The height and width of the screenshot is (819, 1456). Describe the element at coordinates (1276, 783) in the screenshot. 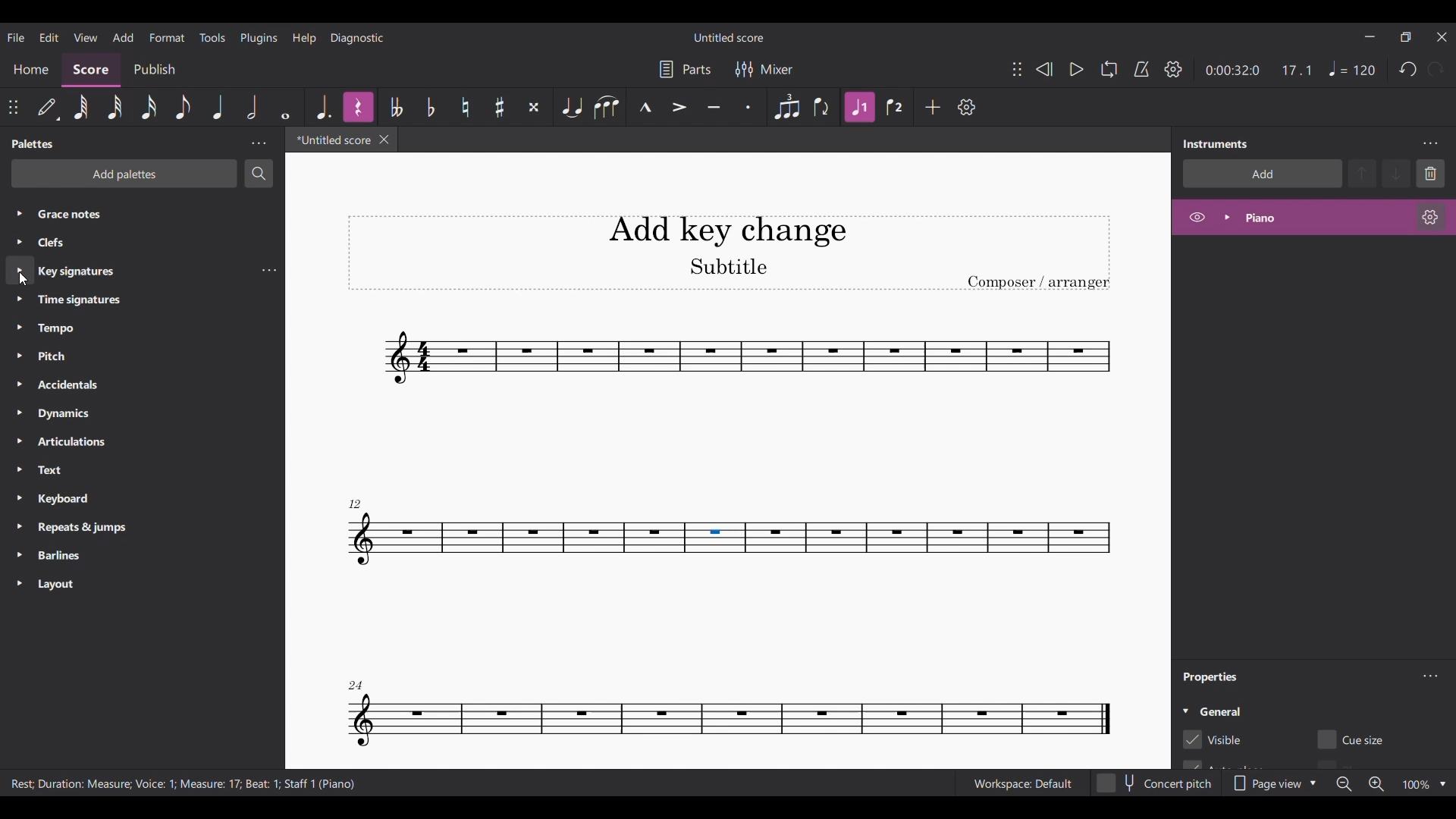

I see `Page view options` at that location.